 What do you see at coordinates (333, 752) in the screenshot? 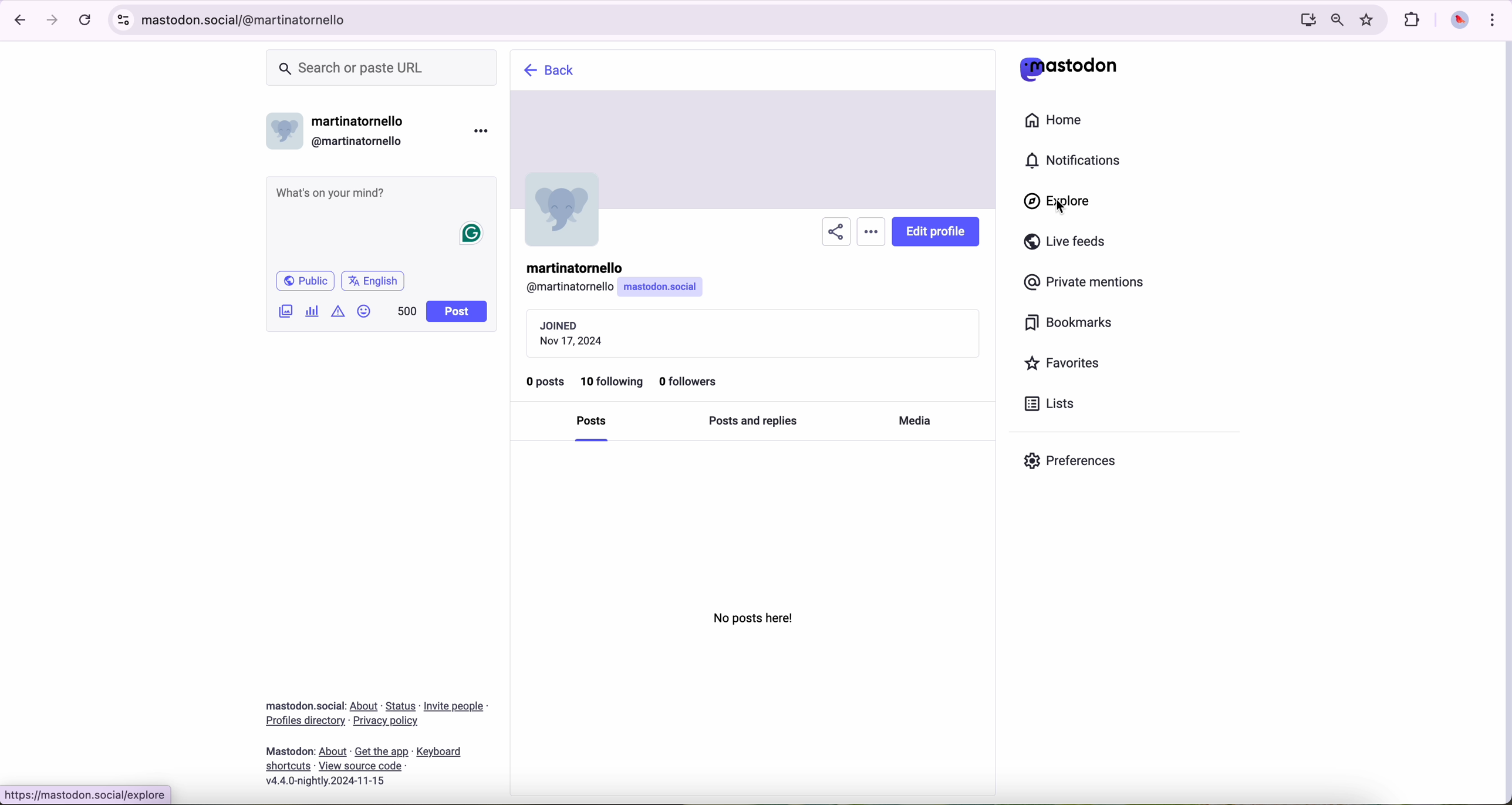
I see `link` at bounding box center [333, 752].